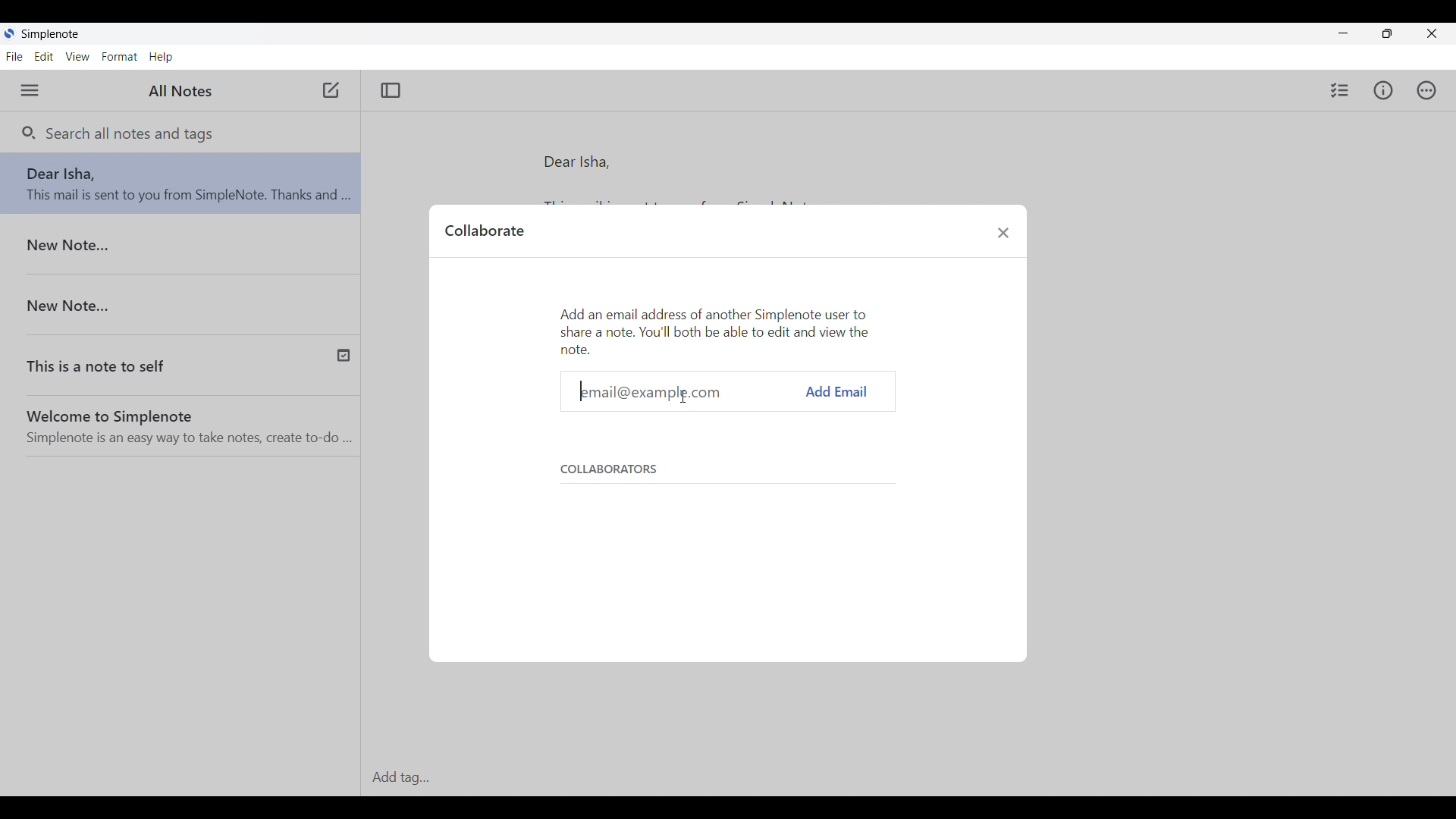 The width and height of the screenshot is (1456, 819). Describe the element at coordinates (342, 356) in the screenshot. I see `published` at that location.